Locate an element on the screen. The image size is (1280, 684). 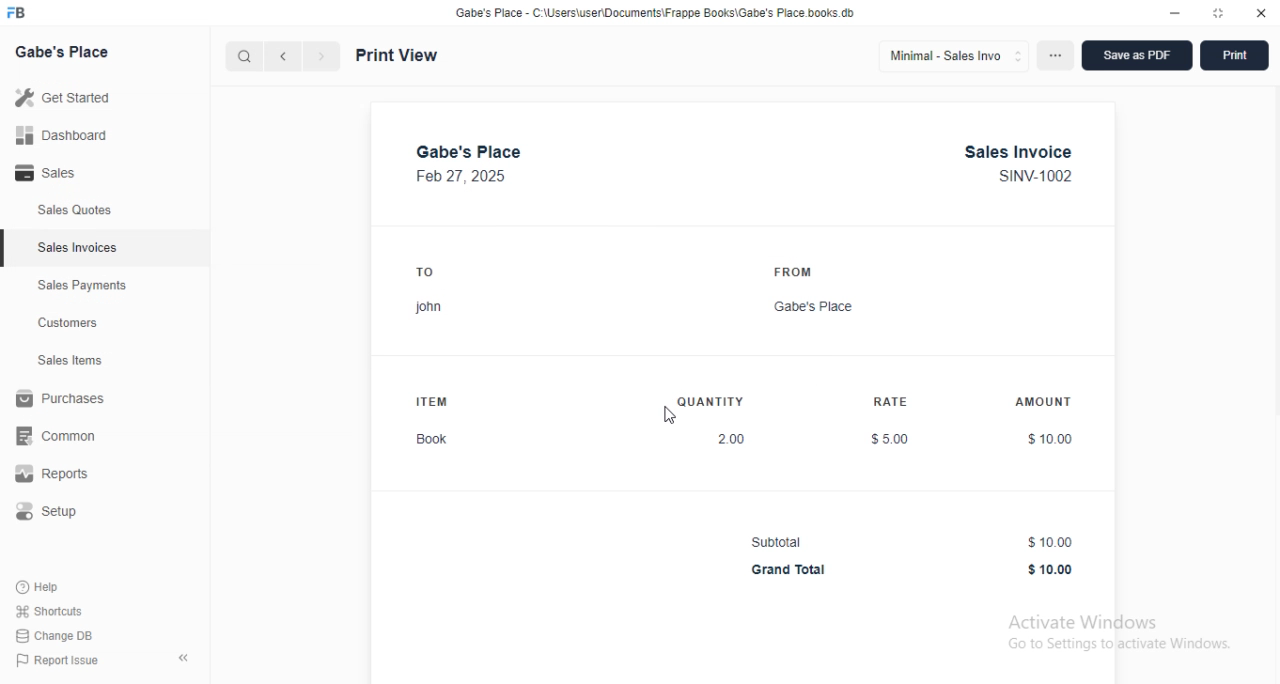
ITEM is located at coordinates (434, 401).